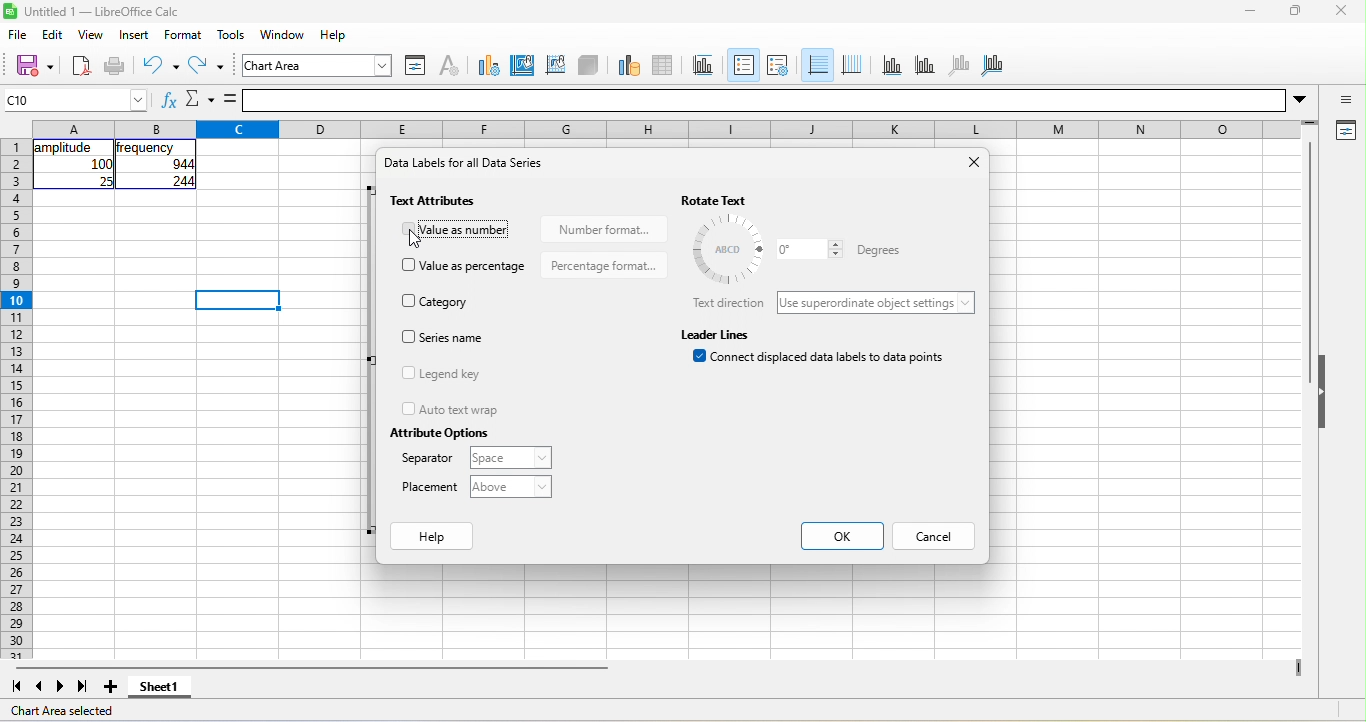 This screenshot has width=1366, height=722. What do you see at coordinates (475, 168) in the screenshot?
I see `data labels for data series` at bounding box center [475, 168].